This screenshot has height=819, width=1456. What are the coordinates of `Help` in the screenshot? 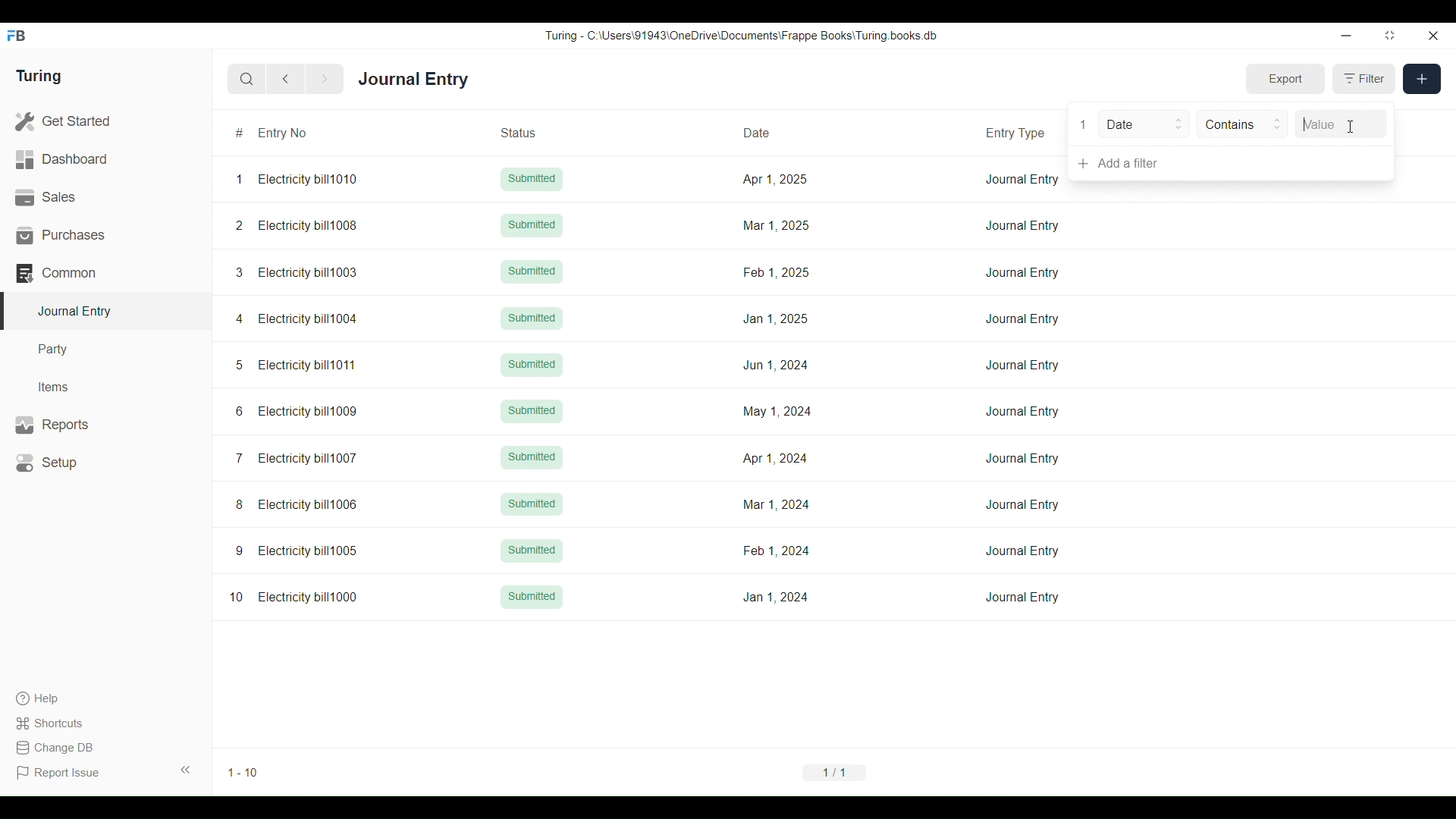 It's located at (57, 698).